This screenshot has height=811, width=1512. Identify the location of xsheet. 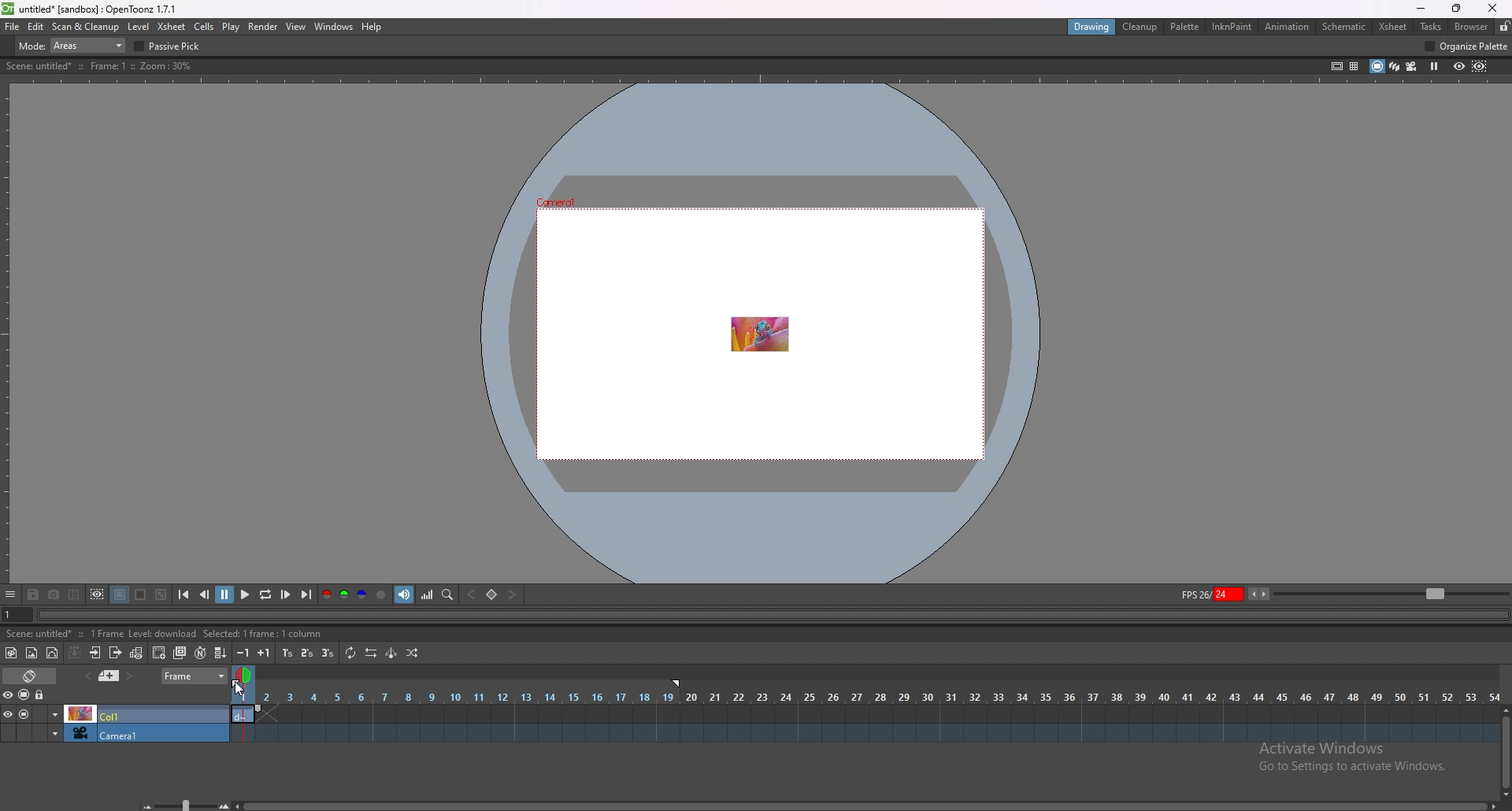
(1393, 28).